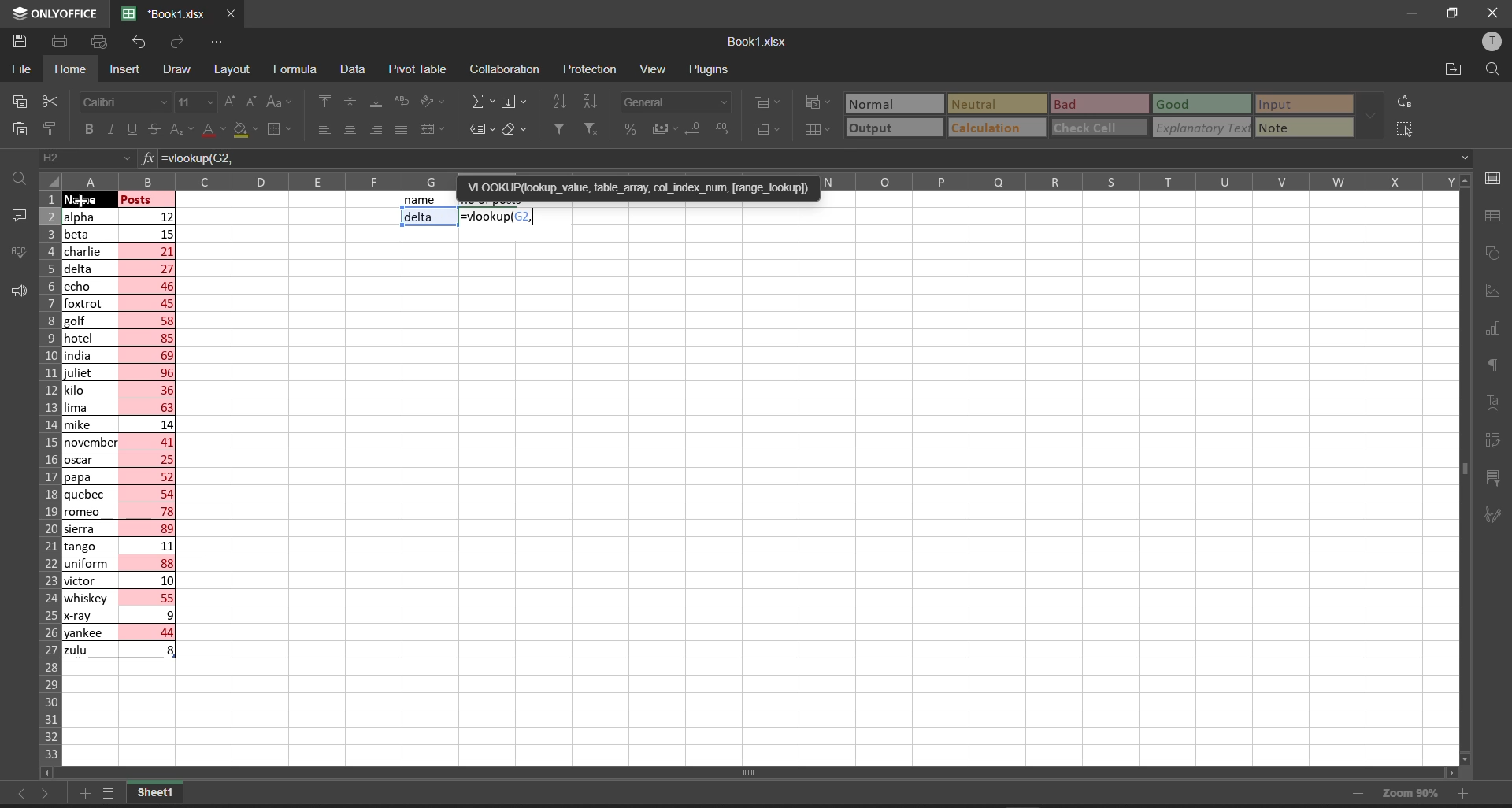  What do you see at coordinates (124, 101) in the screenshot?
I see `font` at bounding box center [124, 101].